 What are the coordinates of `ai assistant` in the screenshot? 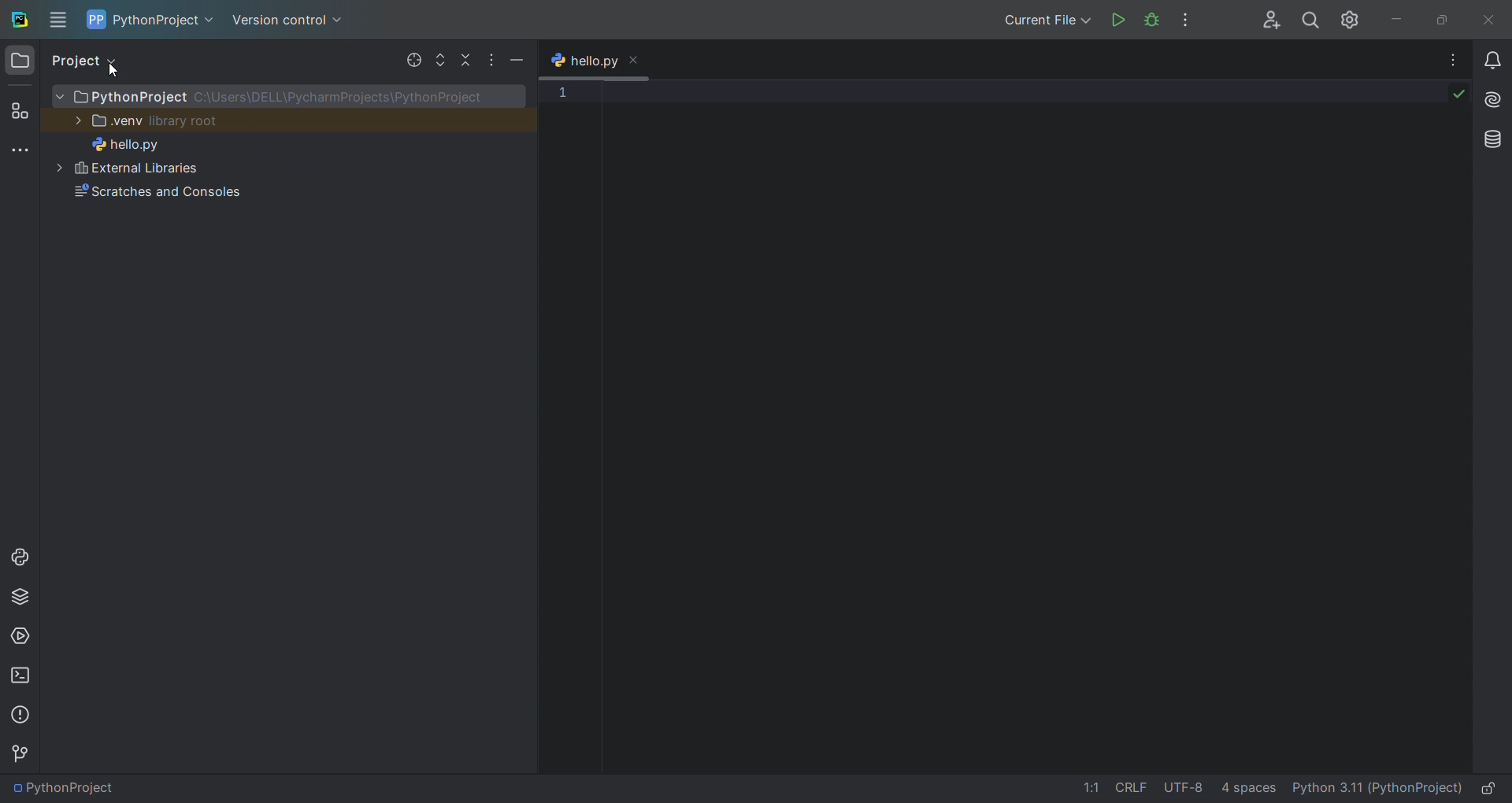 It's located at (1492, 98).